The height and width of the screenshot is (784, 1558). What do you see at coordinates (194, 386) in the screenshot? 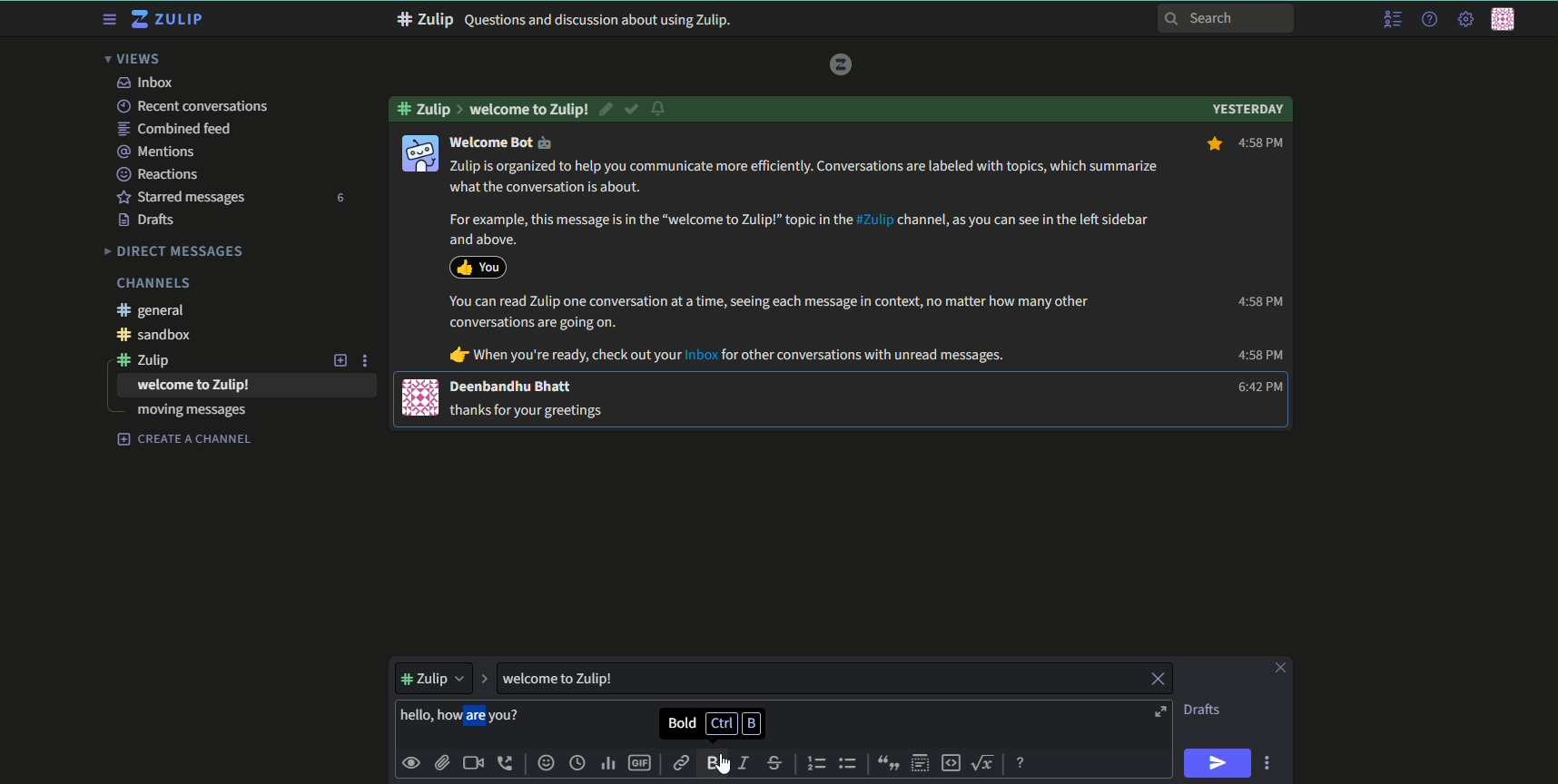
I see `welcome to zulip!` at bounding box center [194, 386].